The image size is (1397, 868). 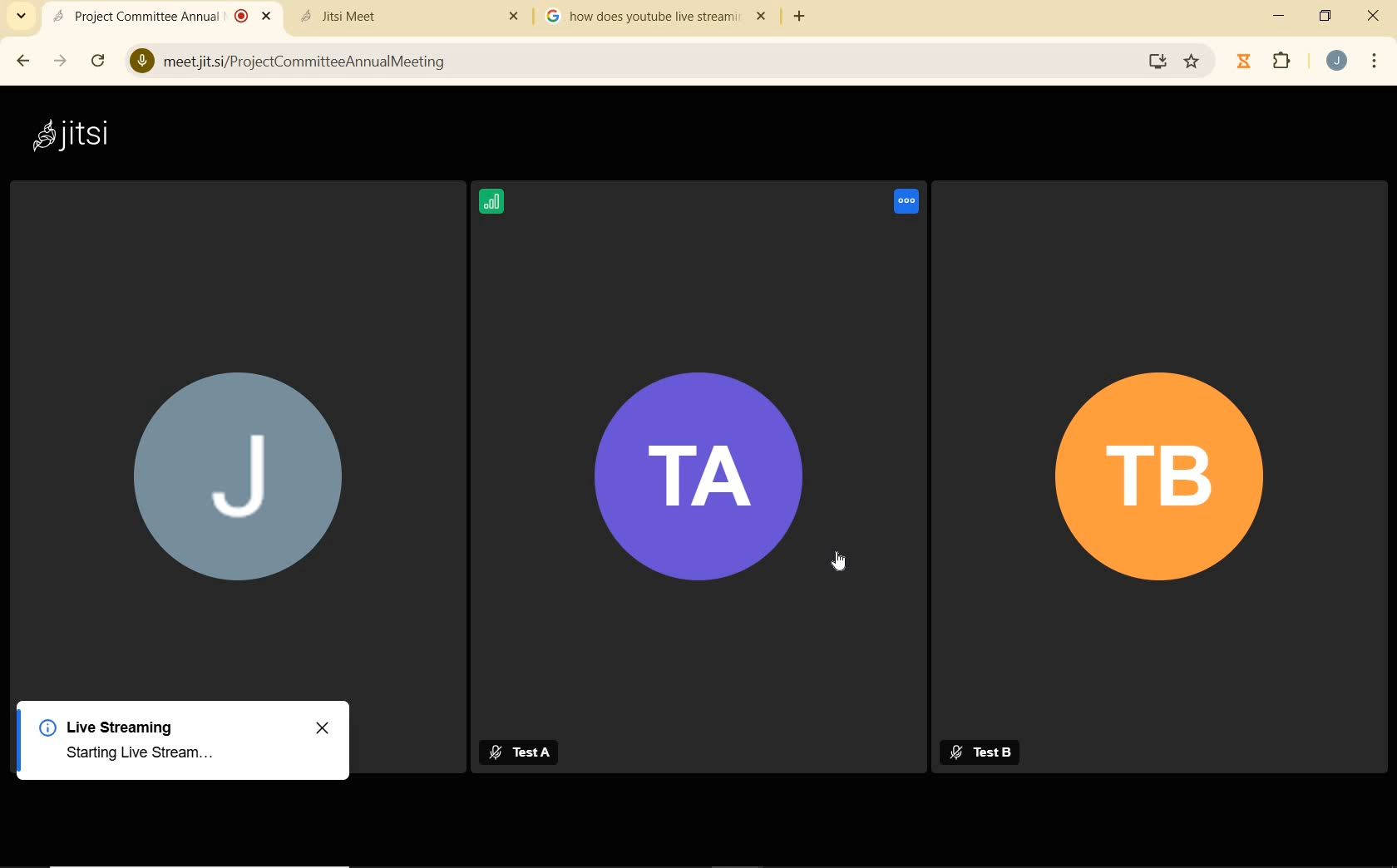 I want to click on current open tab, so click(x=146, y=16).